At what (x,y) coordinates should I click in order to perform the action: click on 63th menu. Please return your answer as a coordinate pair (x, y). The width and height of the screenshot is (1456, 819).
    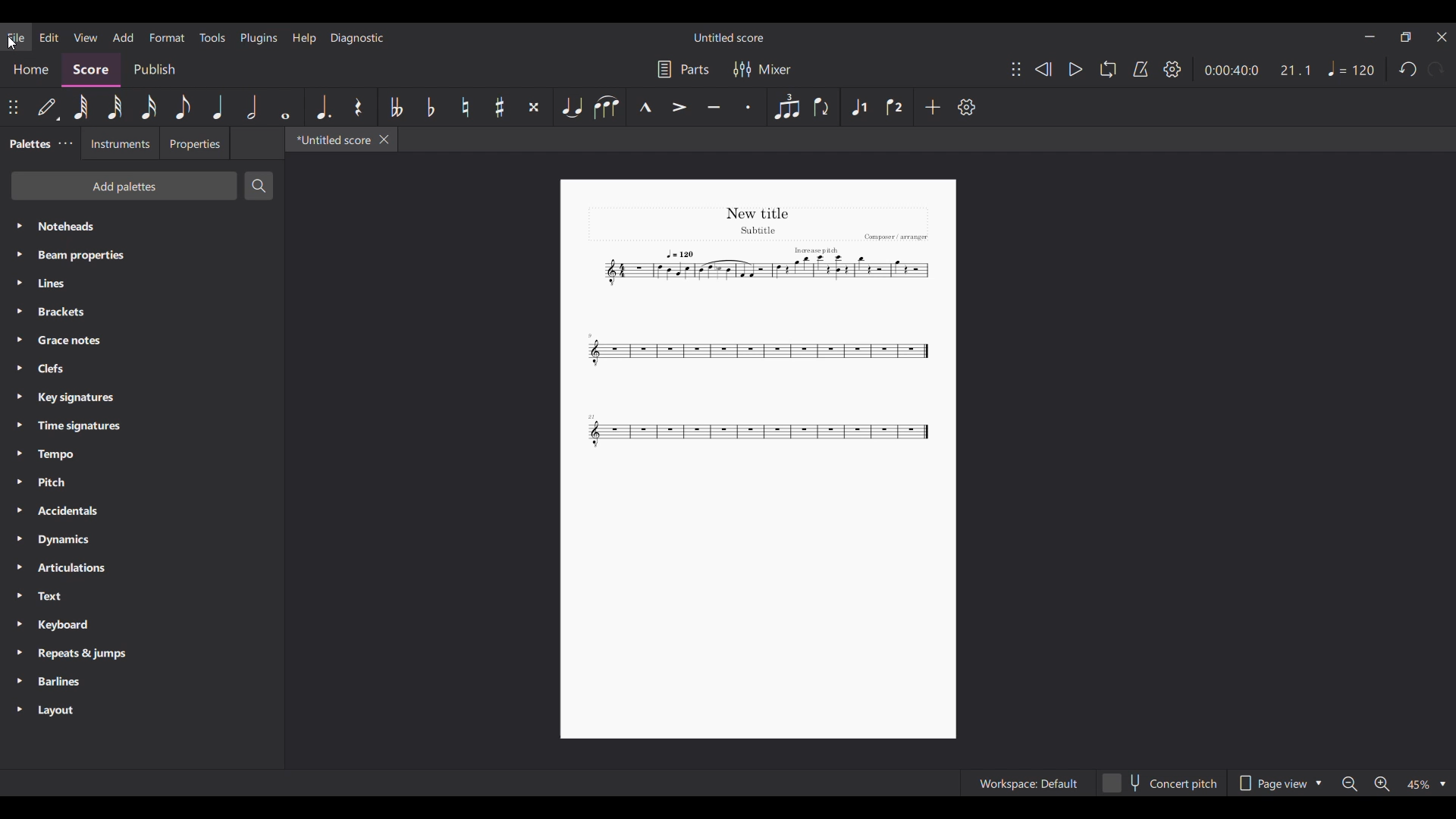
    Looking at the image, I should click on (81, 107).